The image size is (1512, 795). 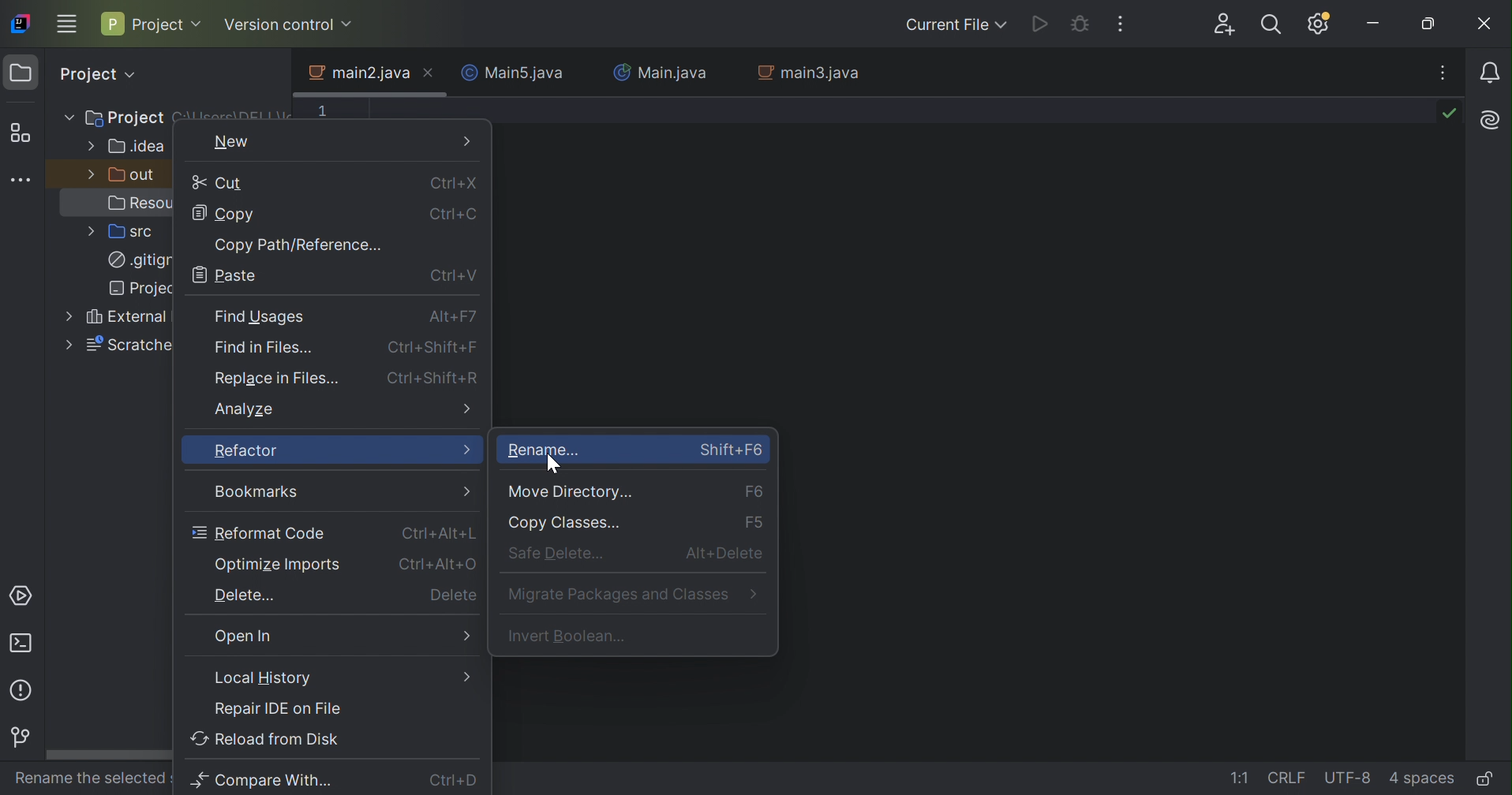 What do you see at coordinates (549, 463) in the screenshot?
I see `Cursor` at bounding box center [549, 463].